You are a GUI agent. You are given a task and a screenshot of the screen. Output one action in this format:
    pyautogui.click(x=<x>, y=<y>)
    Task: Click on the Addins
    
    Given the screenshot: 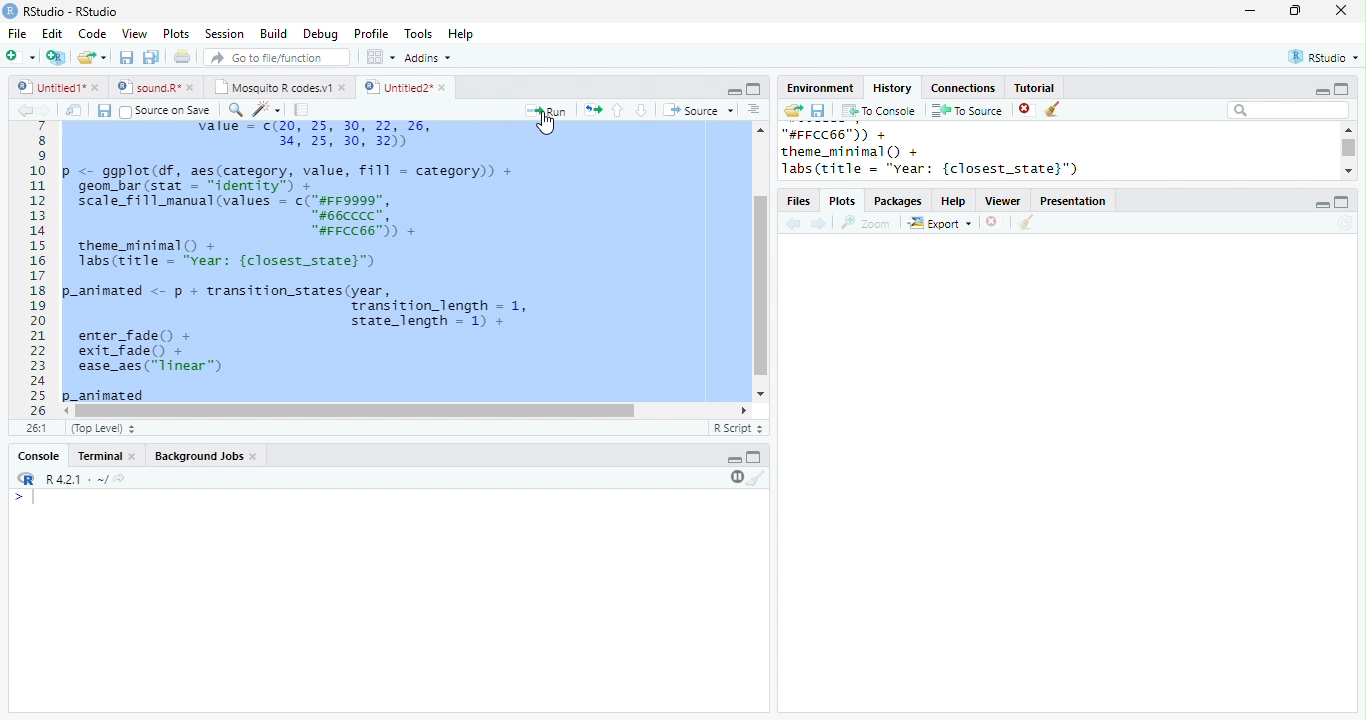 What is the action you would take?
    pyautogui.click(x=428, y=57)
    